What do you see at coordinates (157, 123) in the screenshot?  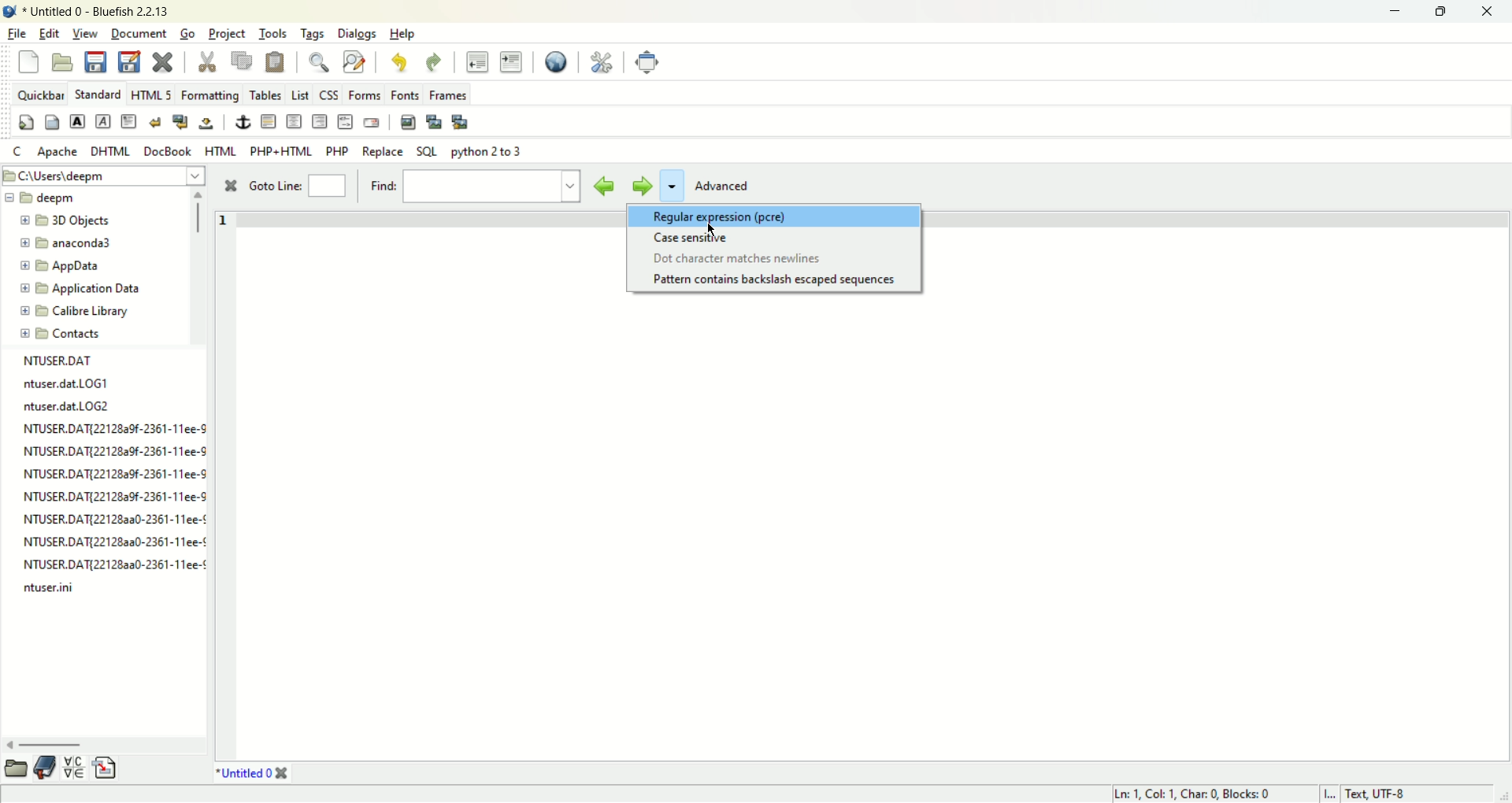 I see `break` at bounding box center [157, 123].